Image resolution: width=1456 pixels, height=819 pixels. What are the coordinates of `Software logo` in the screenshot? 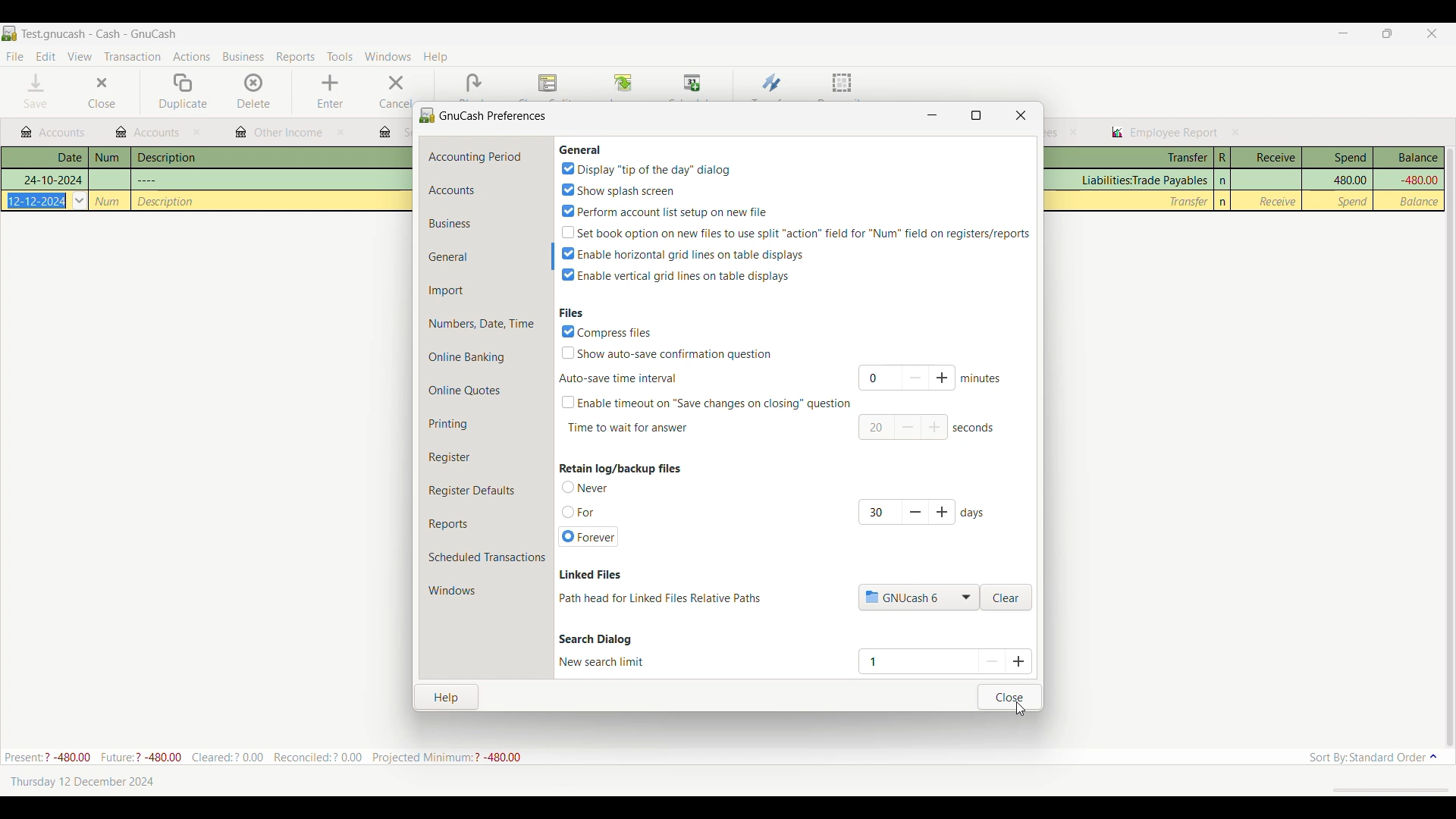 It's located at (9, 33).